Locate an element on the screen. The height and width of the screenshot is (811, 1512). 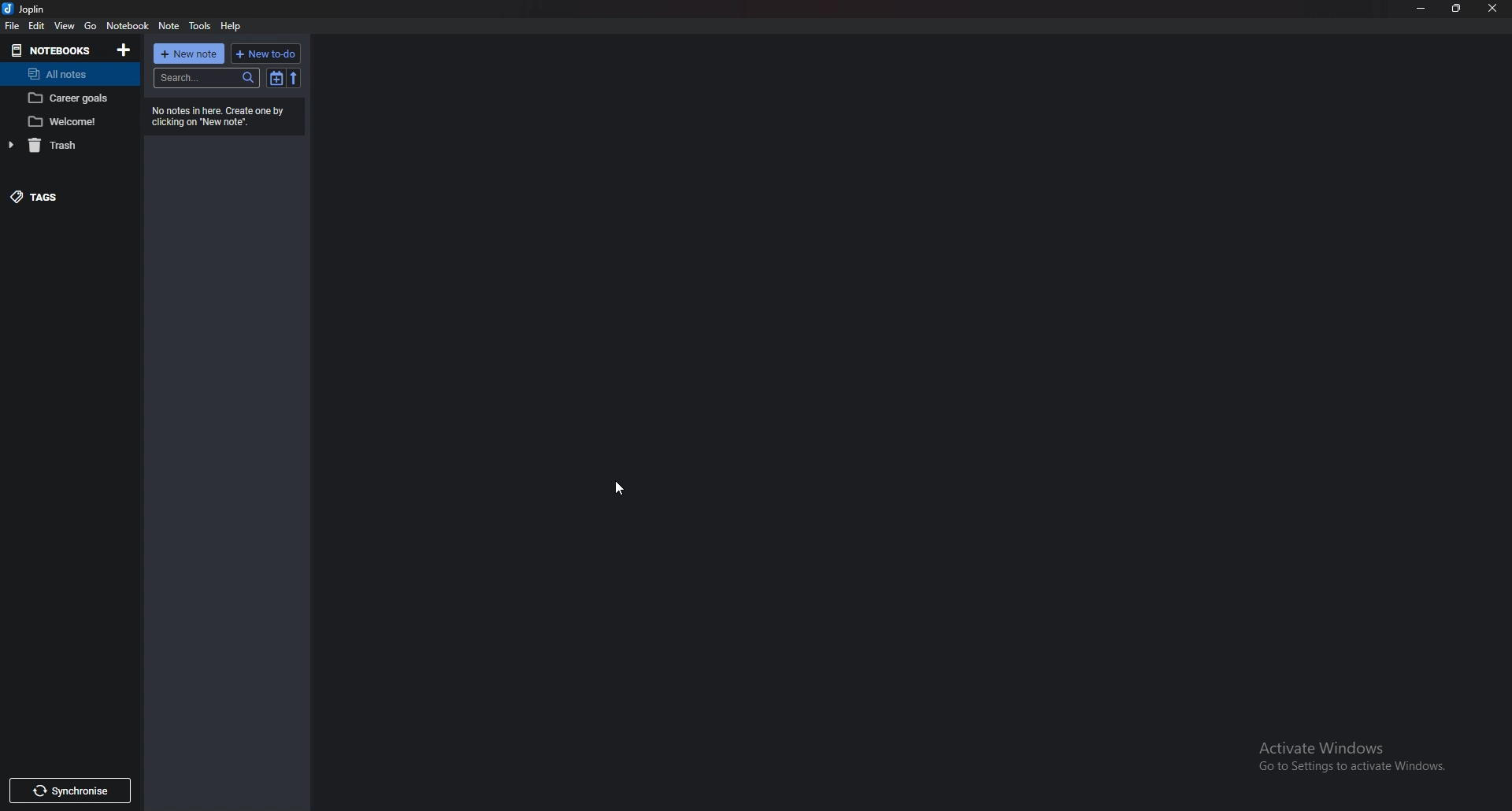
notebook is located at coordinates (129, 24).